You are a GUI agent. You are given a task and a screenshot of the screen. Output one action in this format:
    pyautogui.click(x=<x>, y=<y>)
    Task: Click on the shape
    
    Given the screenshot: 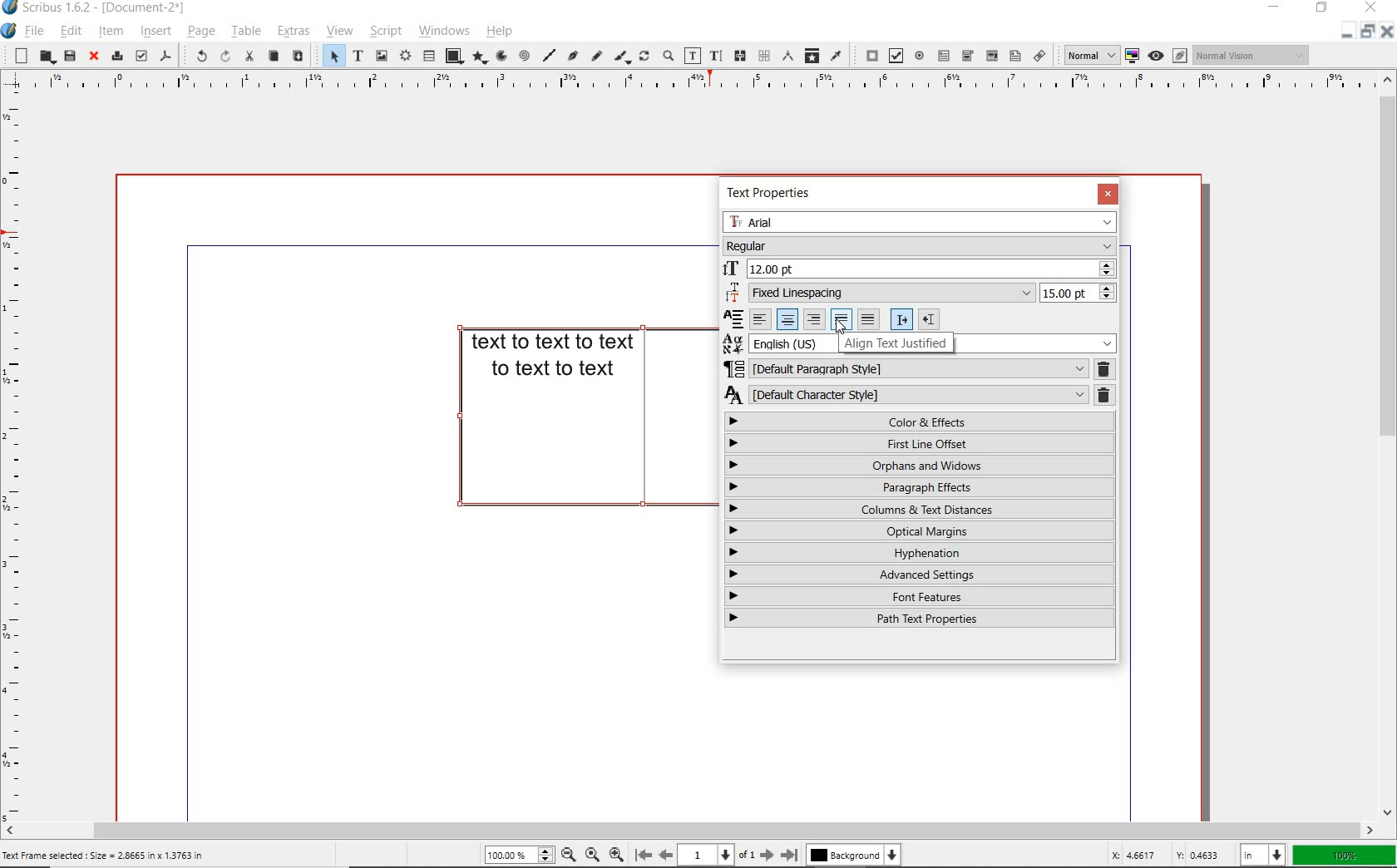 What is the action you would take?
    pyautogui.click(x=451, y=57)
    